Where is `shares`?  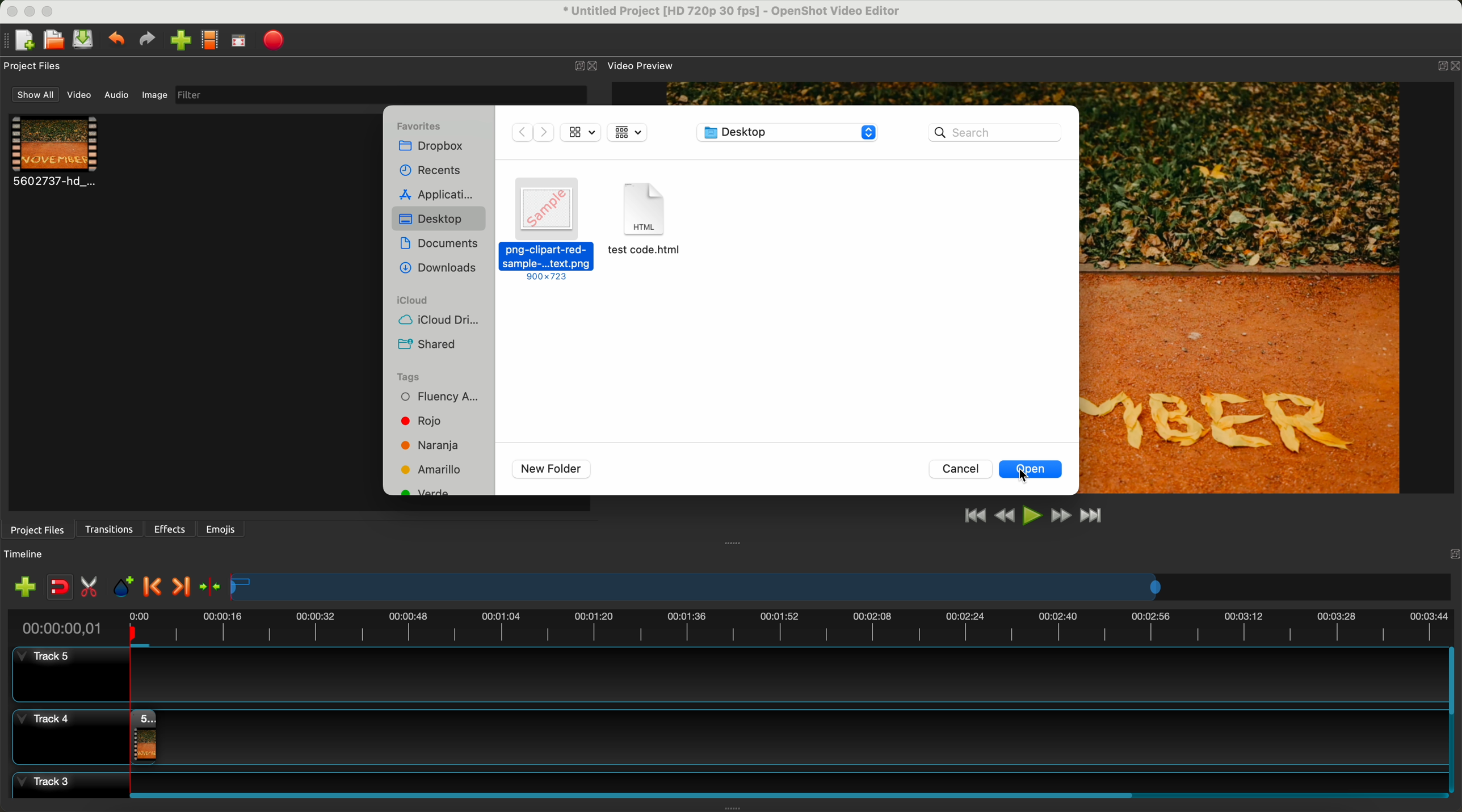
shares is located at coordinates (428, 343).